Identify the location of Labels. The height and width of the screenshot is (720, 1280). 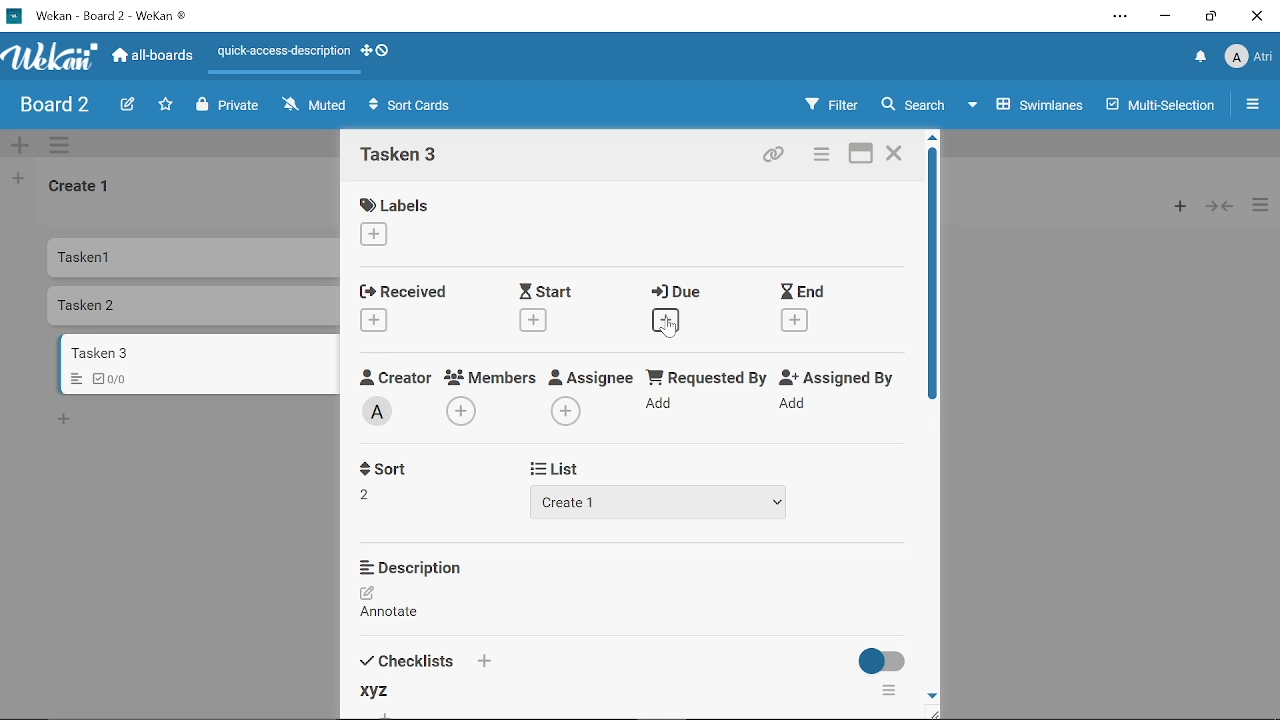
(392, 204).